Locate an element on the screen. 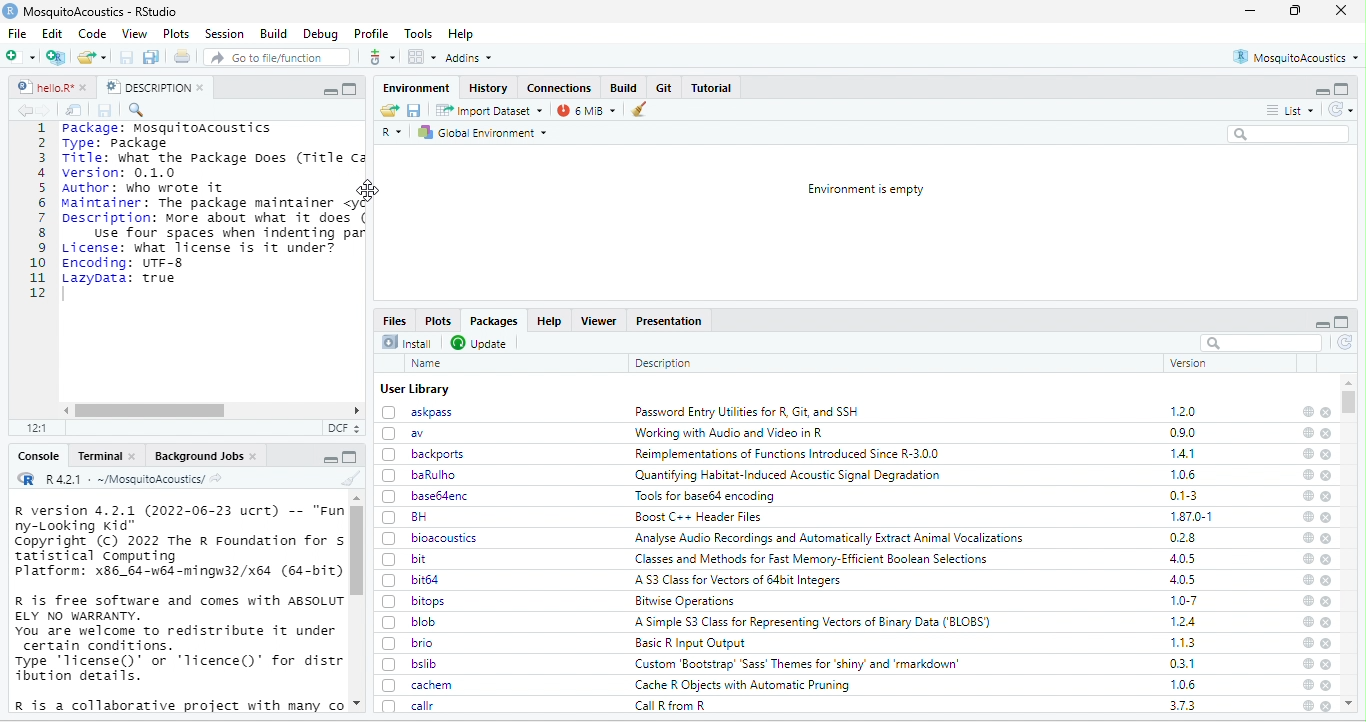 The width and height of the screenshot is (1366, 722). Import Dataset is located at coordinates (490, 110).